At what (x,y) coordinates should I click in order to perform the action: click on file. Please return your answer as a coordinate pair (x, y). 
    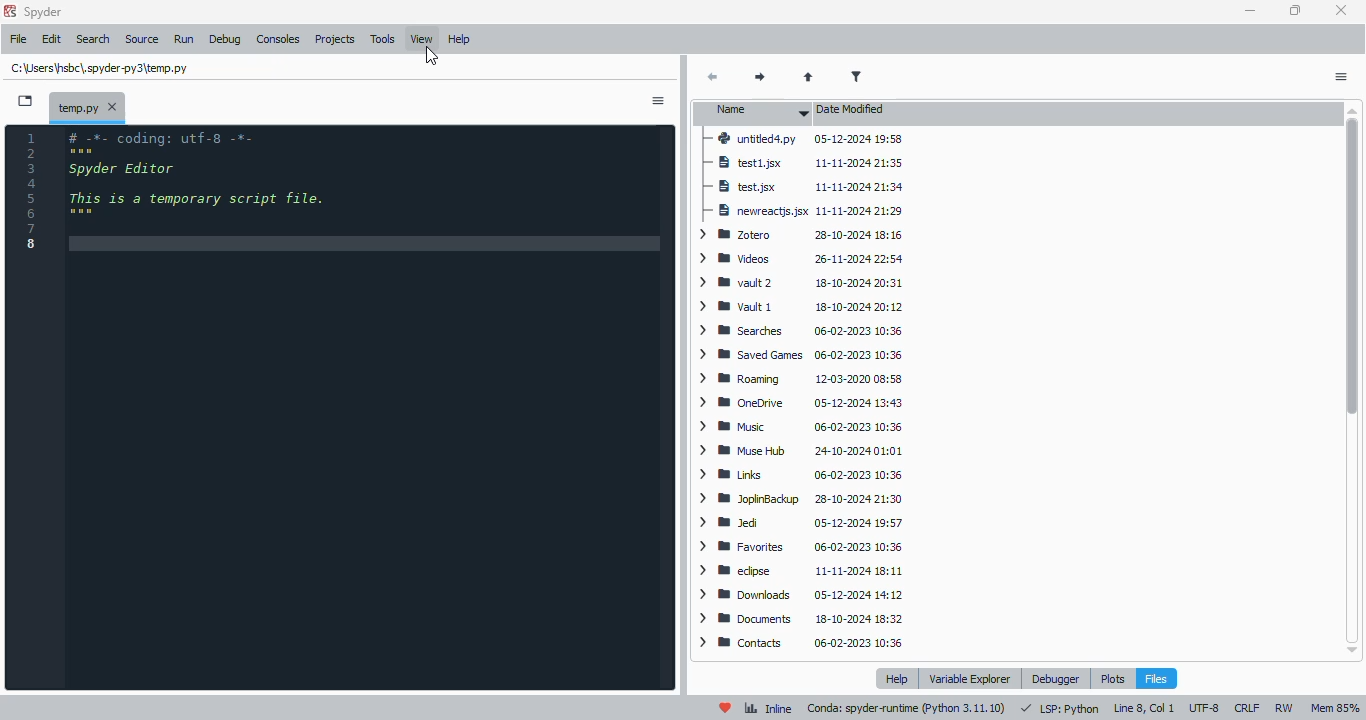
    Looking at the image, I should click on (20, 40).